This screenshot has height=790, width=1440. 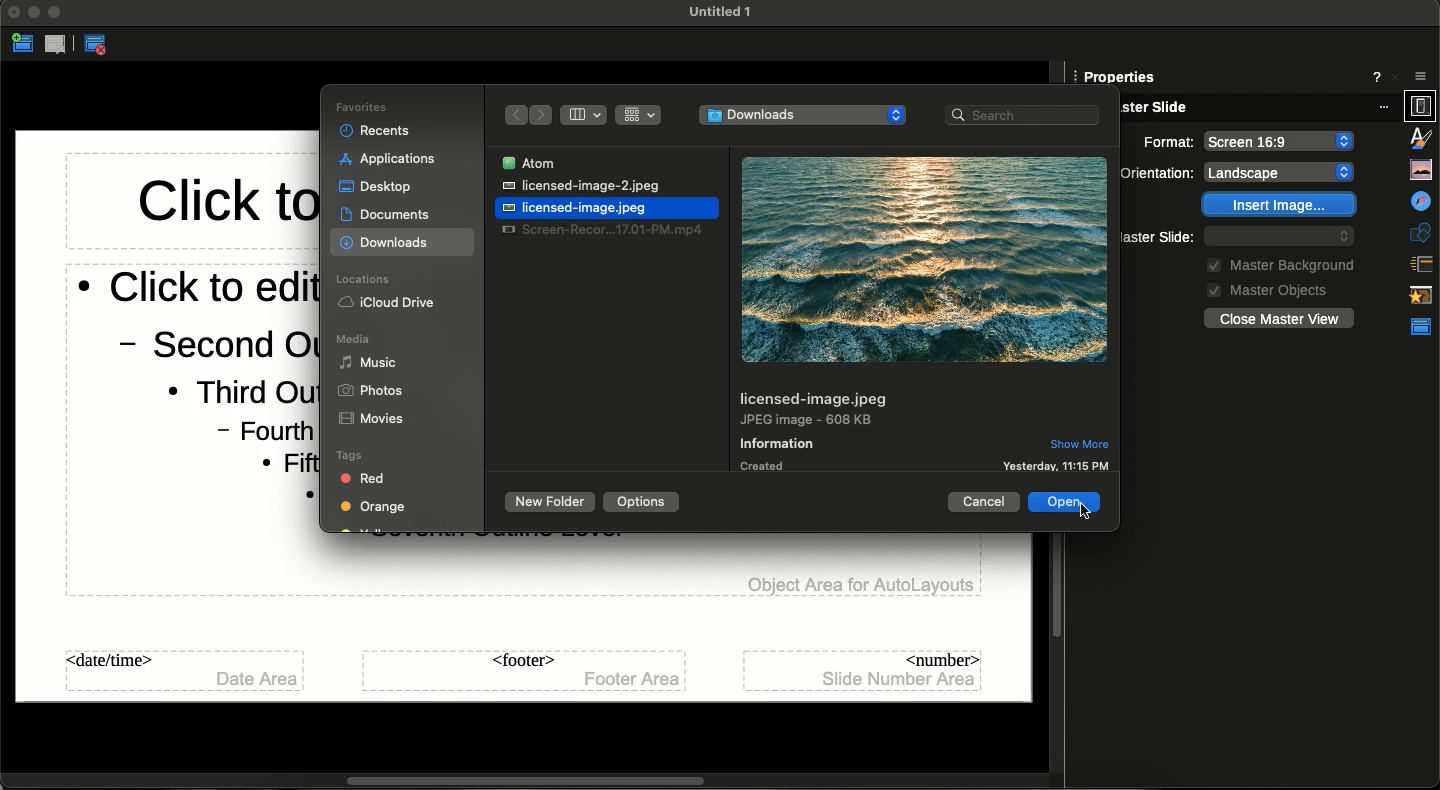 I want to click on Properties, so click(x=1422, y=328).